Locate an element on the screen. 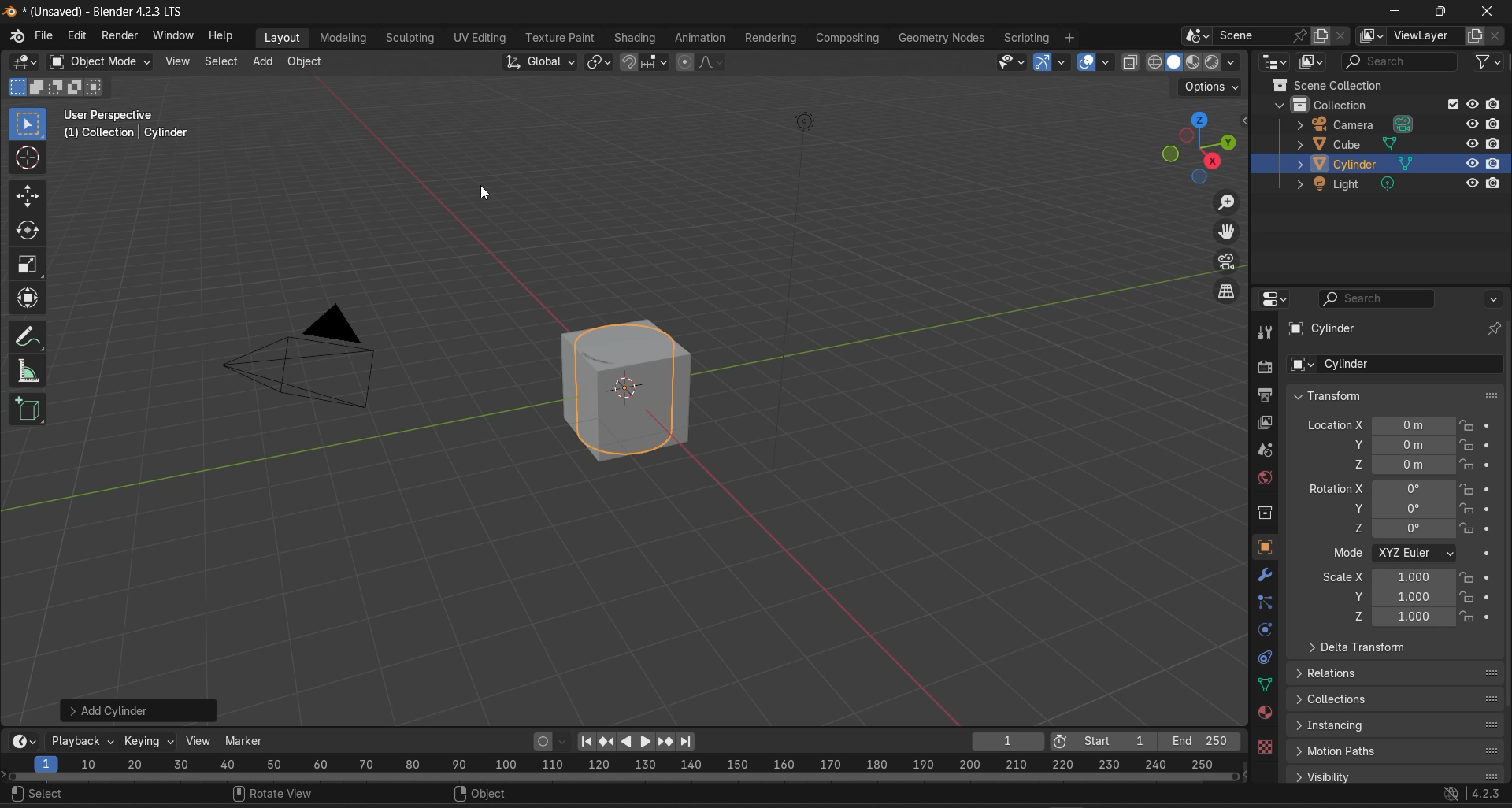  output is located at coordinates (1266, 395).